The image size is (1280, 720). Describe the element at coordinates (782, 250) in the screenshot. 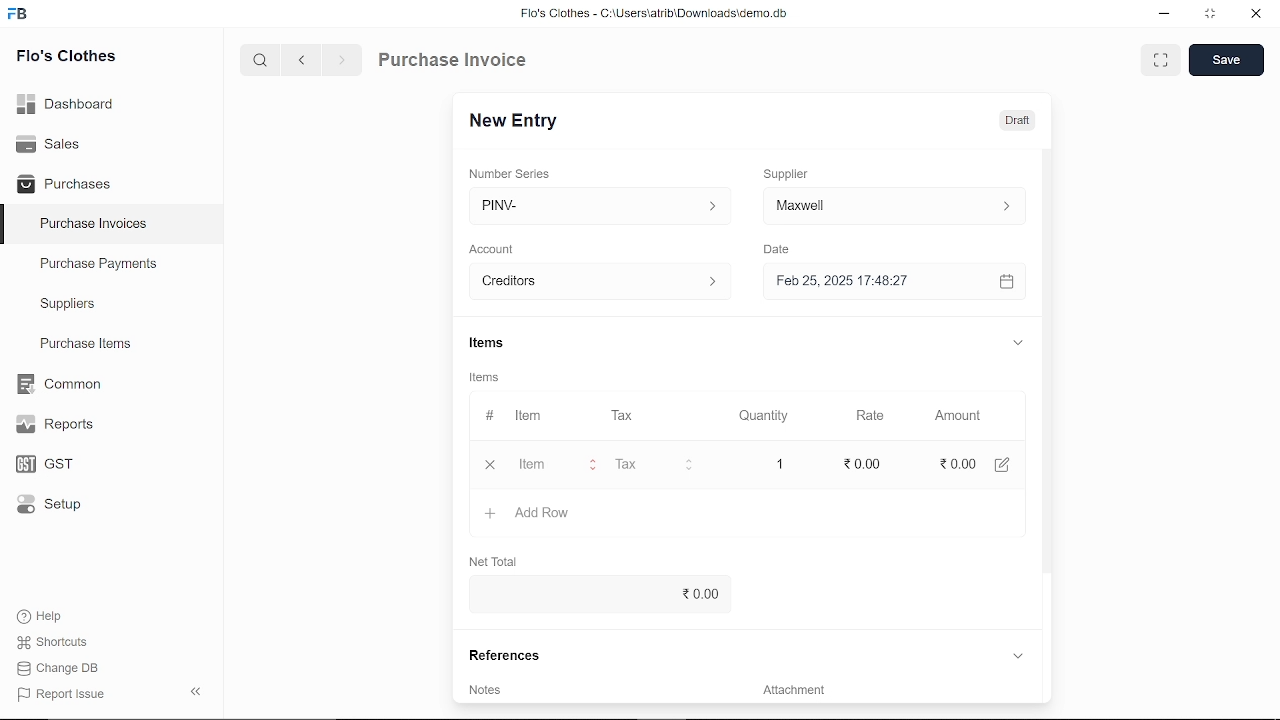

I see `Date` at that location.